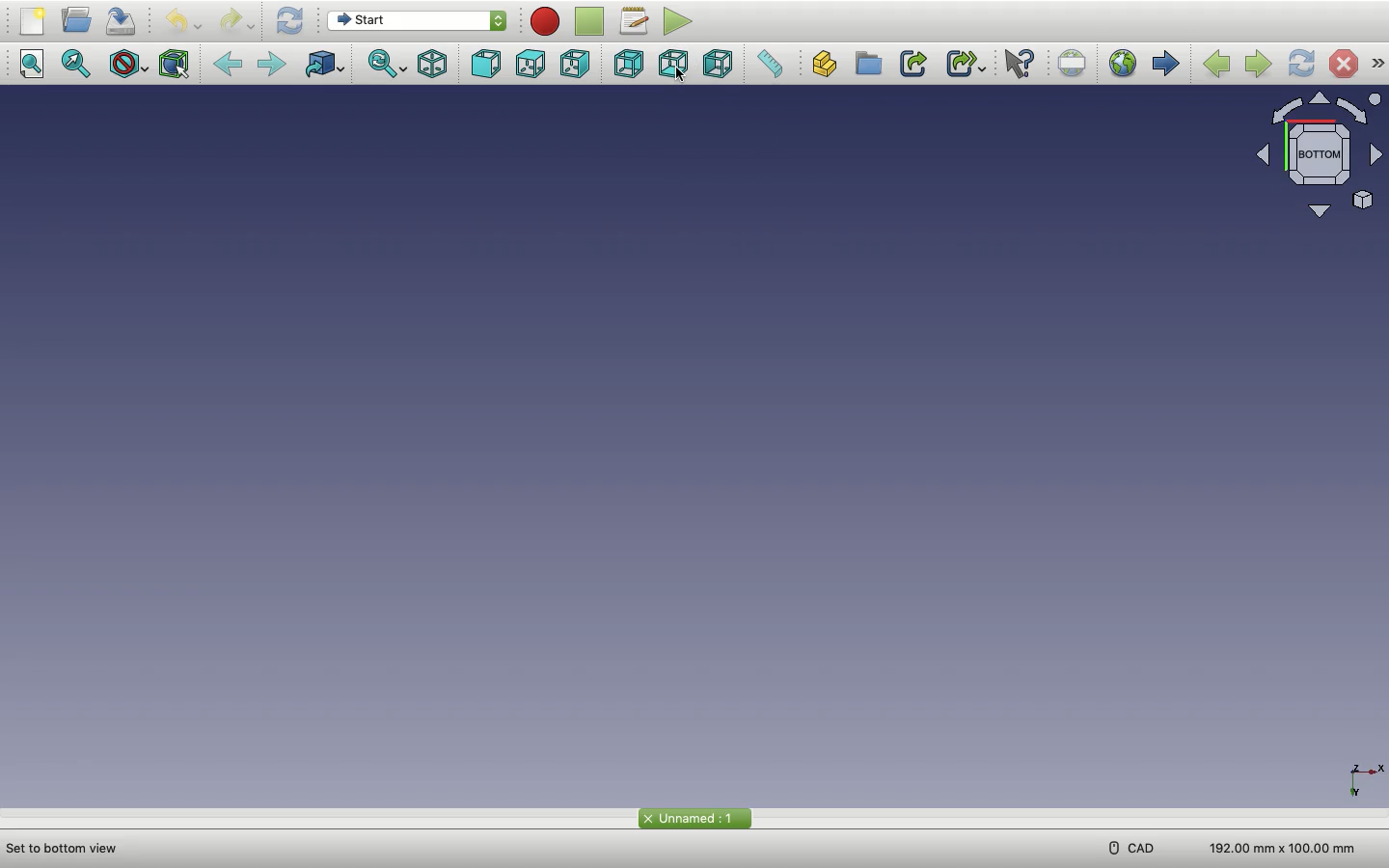  What do you see at coordinates (1377, 64) in the screenshot?
I see `Navigation` at bounding box center [1377, 64].